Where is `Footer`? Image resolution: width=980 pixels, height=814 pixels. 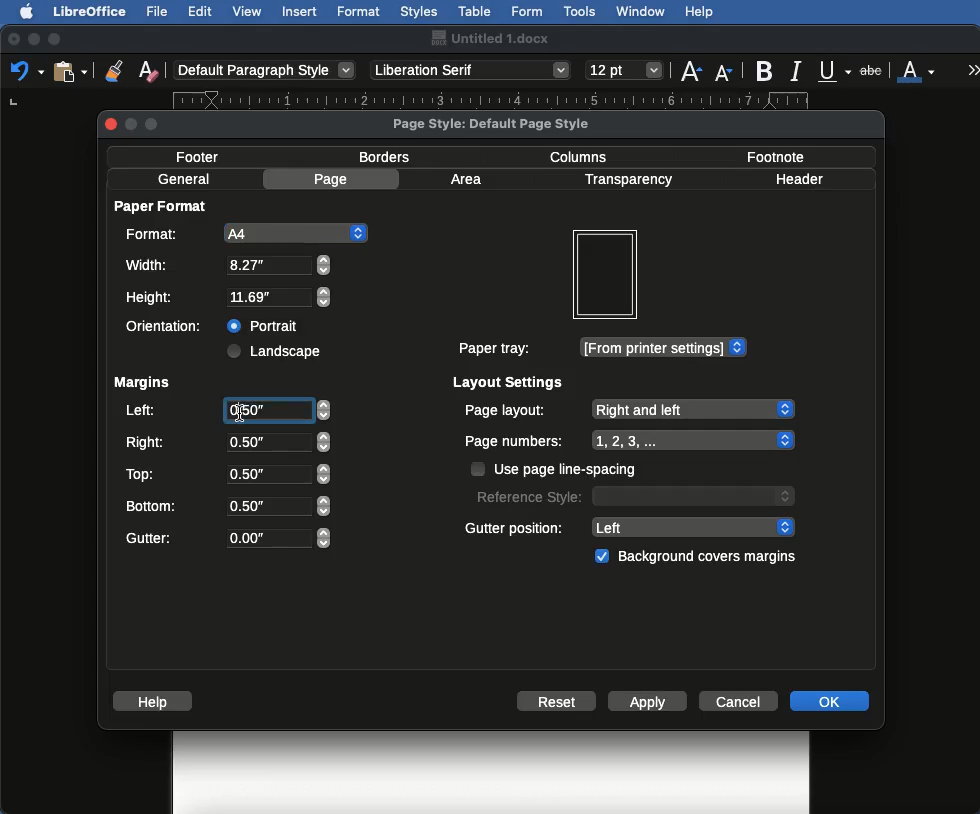
Footer is located at coordinates (204, 156).